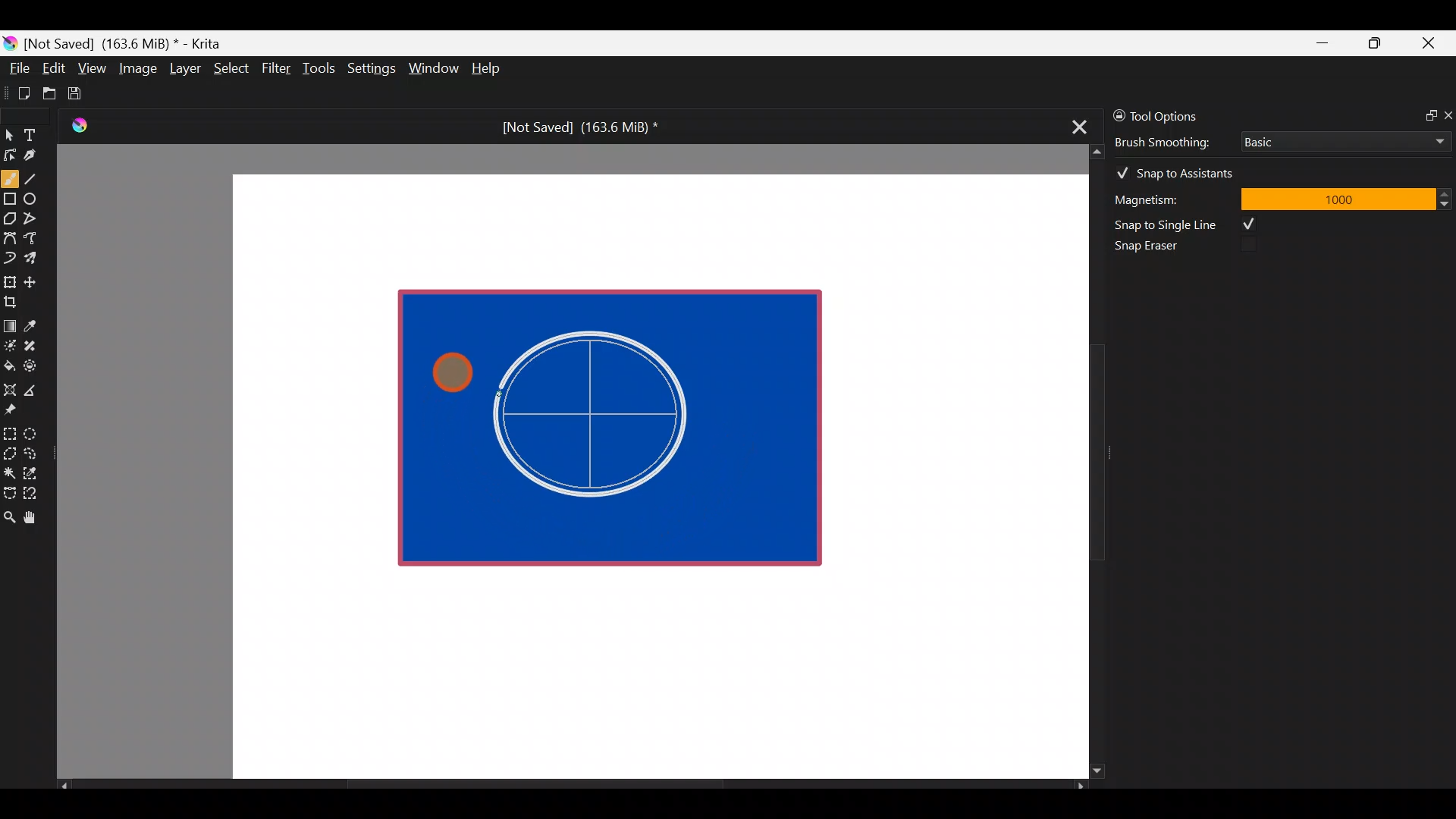 The image size is (1456, 819). I want to click on Bezier curve selection tool, so click(9, 491).